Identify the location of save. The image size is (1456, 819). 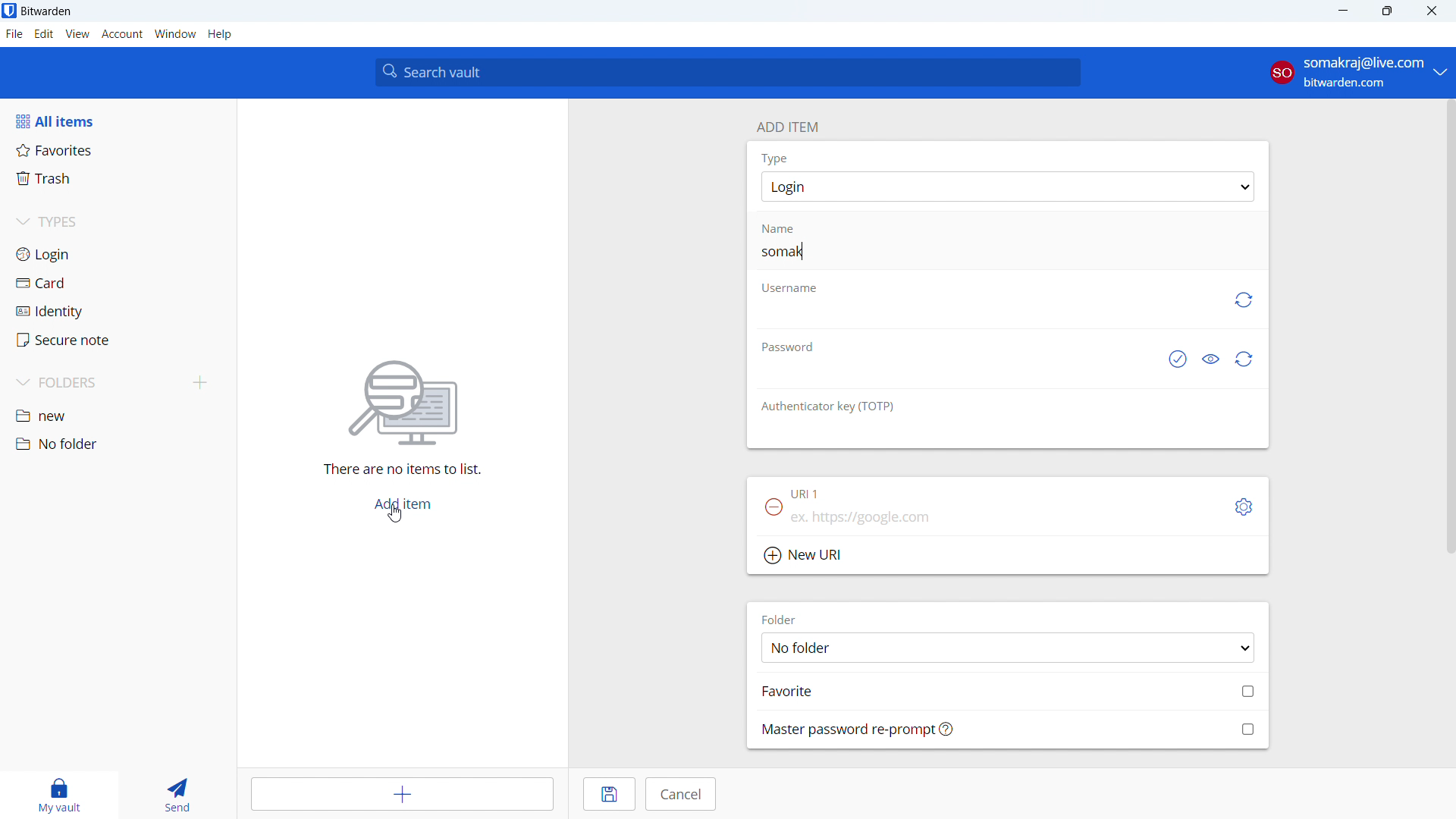
(610, 794).